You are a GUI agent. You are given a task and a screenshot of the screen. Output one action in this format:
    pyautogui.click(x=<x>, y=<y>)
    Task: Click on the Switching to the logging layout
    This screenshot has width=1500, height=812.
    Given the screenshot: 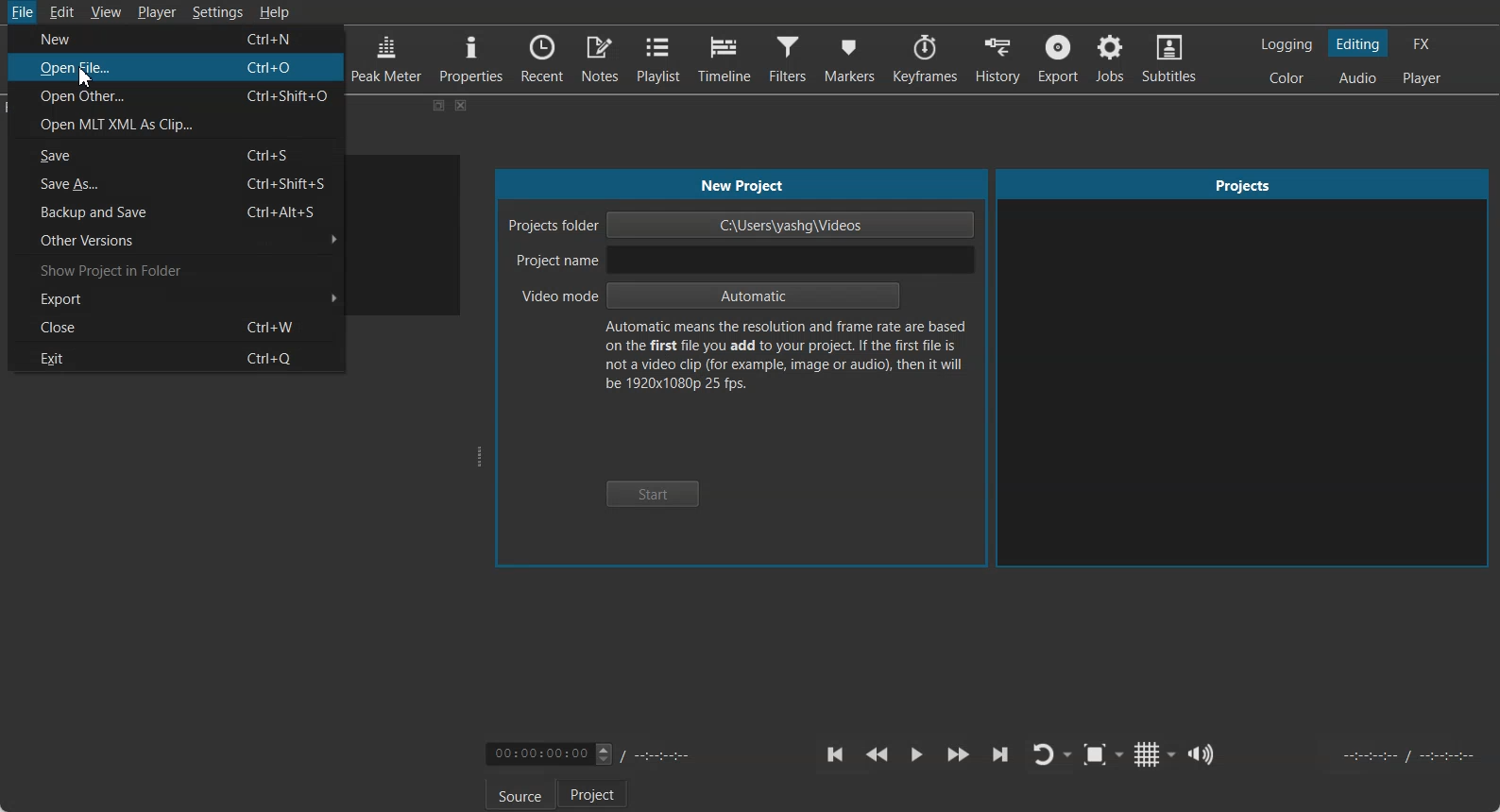 What is the action you would take?
    pyautogui.click(x=1287, y=44)
    